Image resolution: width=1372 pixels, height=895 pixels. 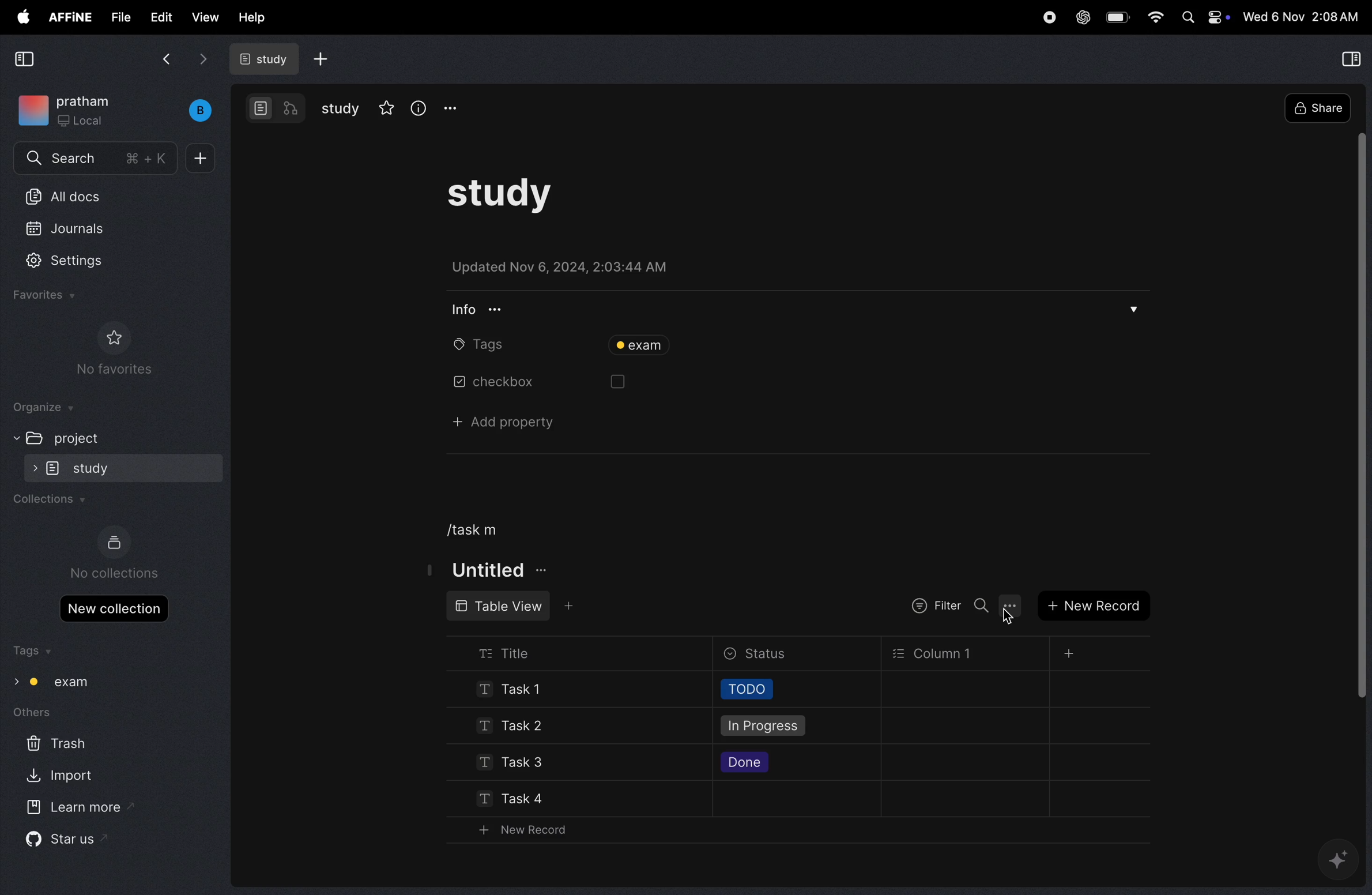 I want to click on info, so click(x=472, y=310).